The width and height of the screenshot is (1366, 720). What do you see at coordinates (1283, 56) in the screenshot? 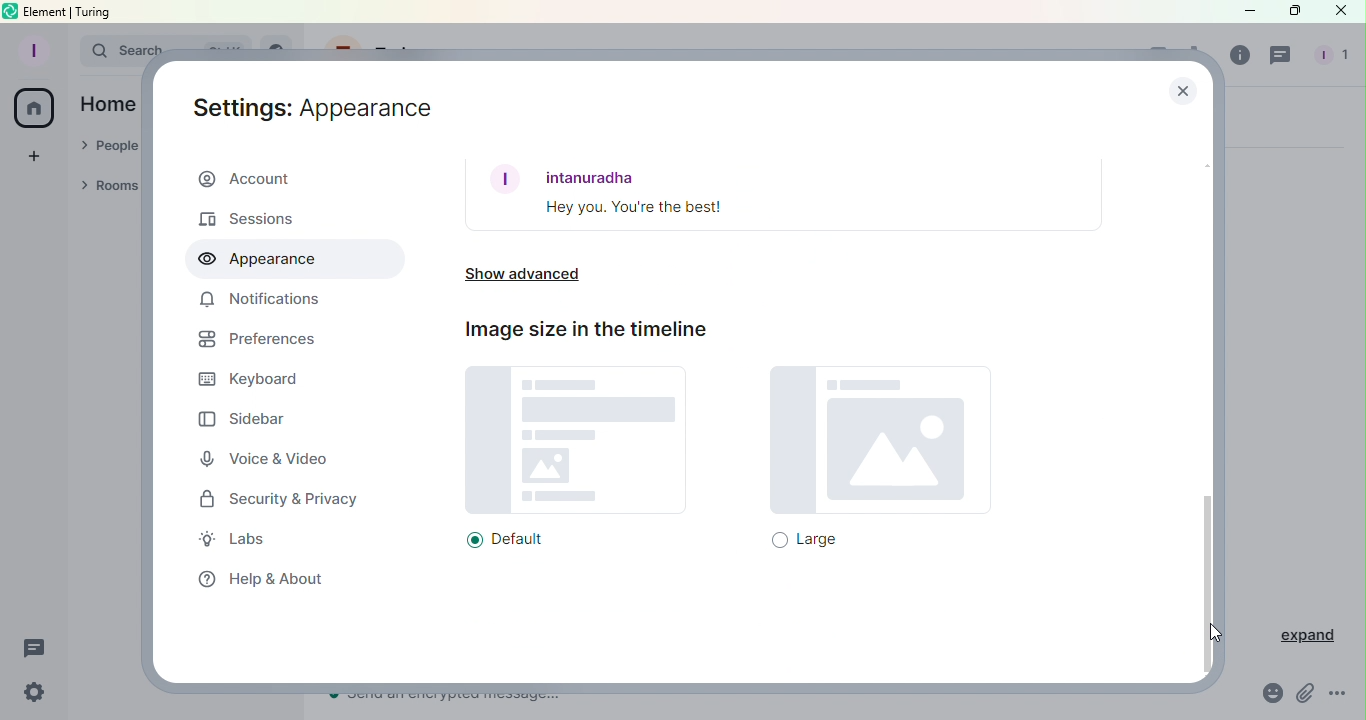
I see `Threads` at bounding box center [1283, 56].